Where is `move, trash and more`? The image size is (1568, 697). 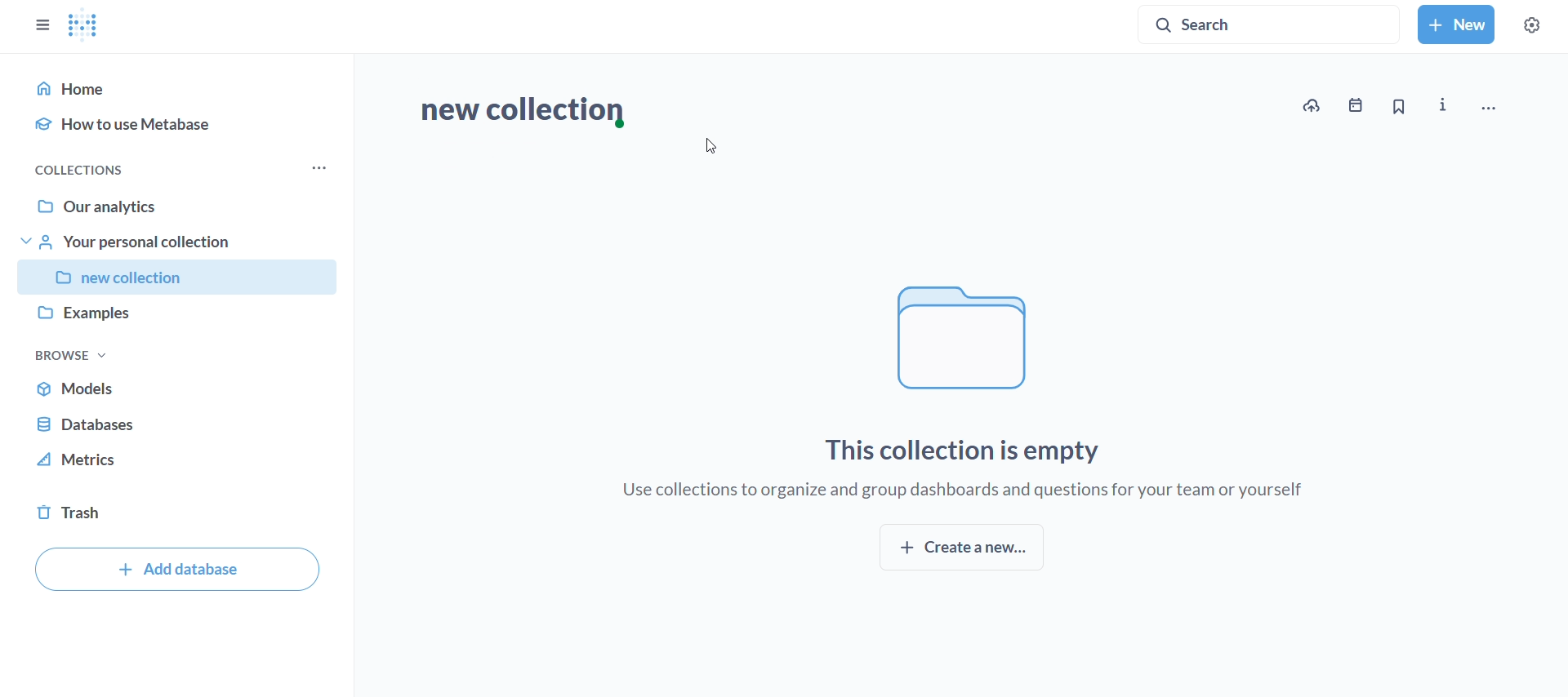
move, trash and more is located at coordinates (1503, 102).